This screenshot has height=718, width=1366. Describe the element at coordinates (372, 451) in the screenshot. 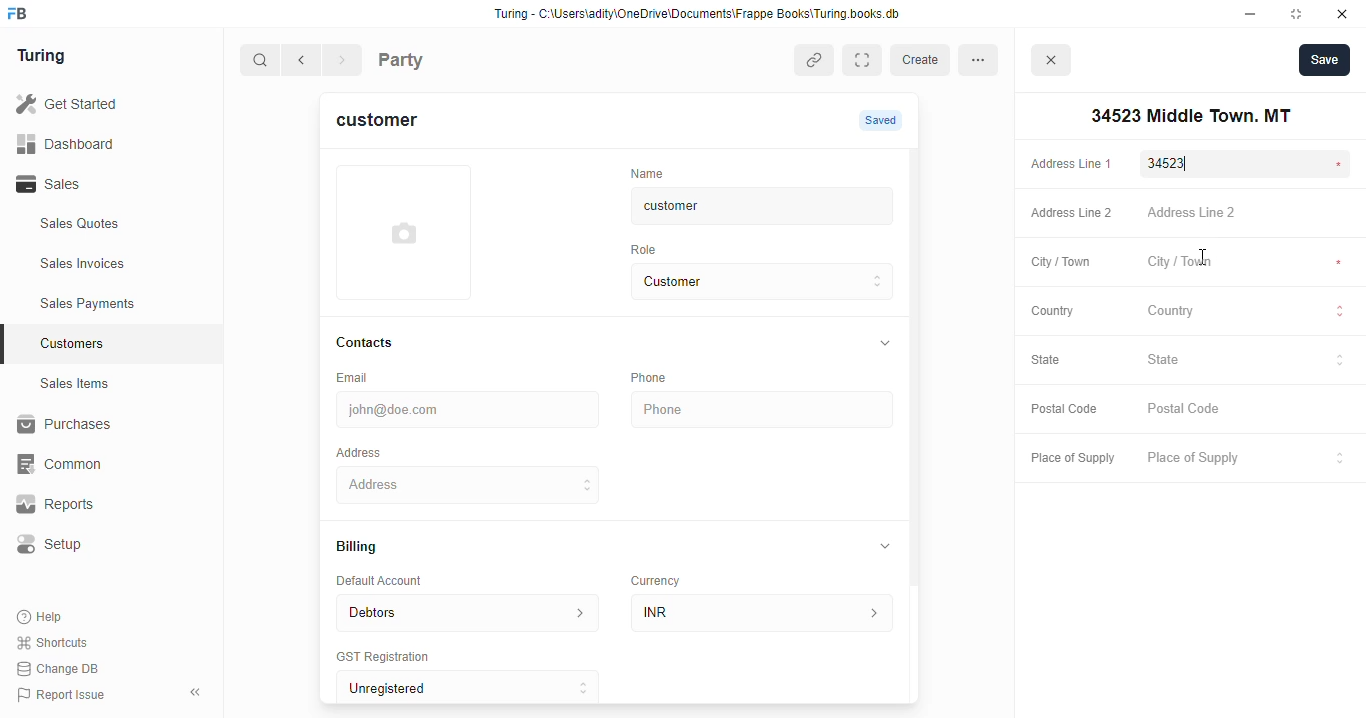

I see `Address` at that location.